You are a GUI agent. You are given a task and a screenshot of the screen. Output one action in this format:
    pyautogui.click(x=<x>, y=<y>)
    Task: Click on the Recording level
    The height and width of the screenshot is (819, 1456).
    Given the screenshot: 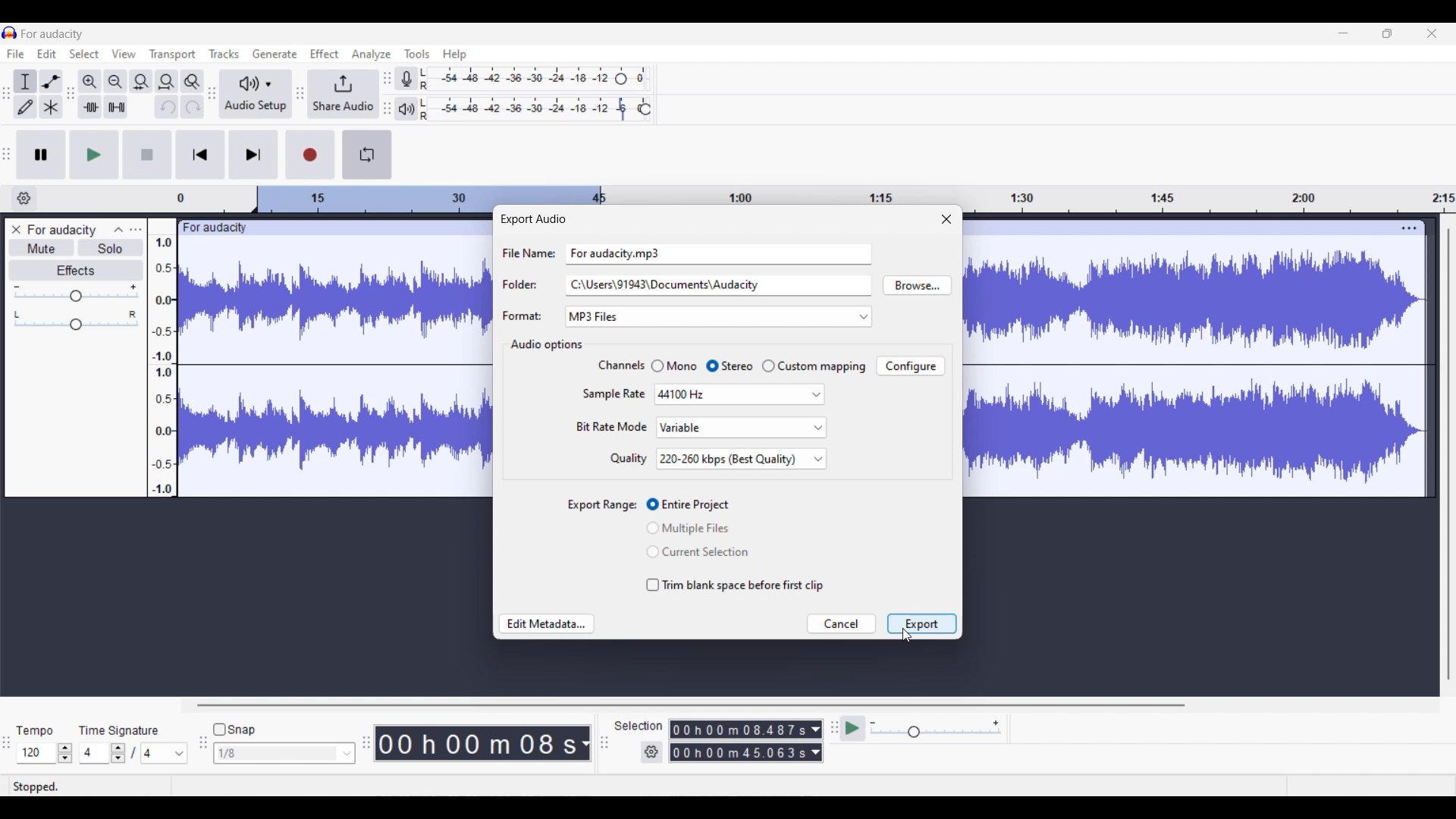 What is the action you would take?
    pyautogui.click(x=516, y=79)
    